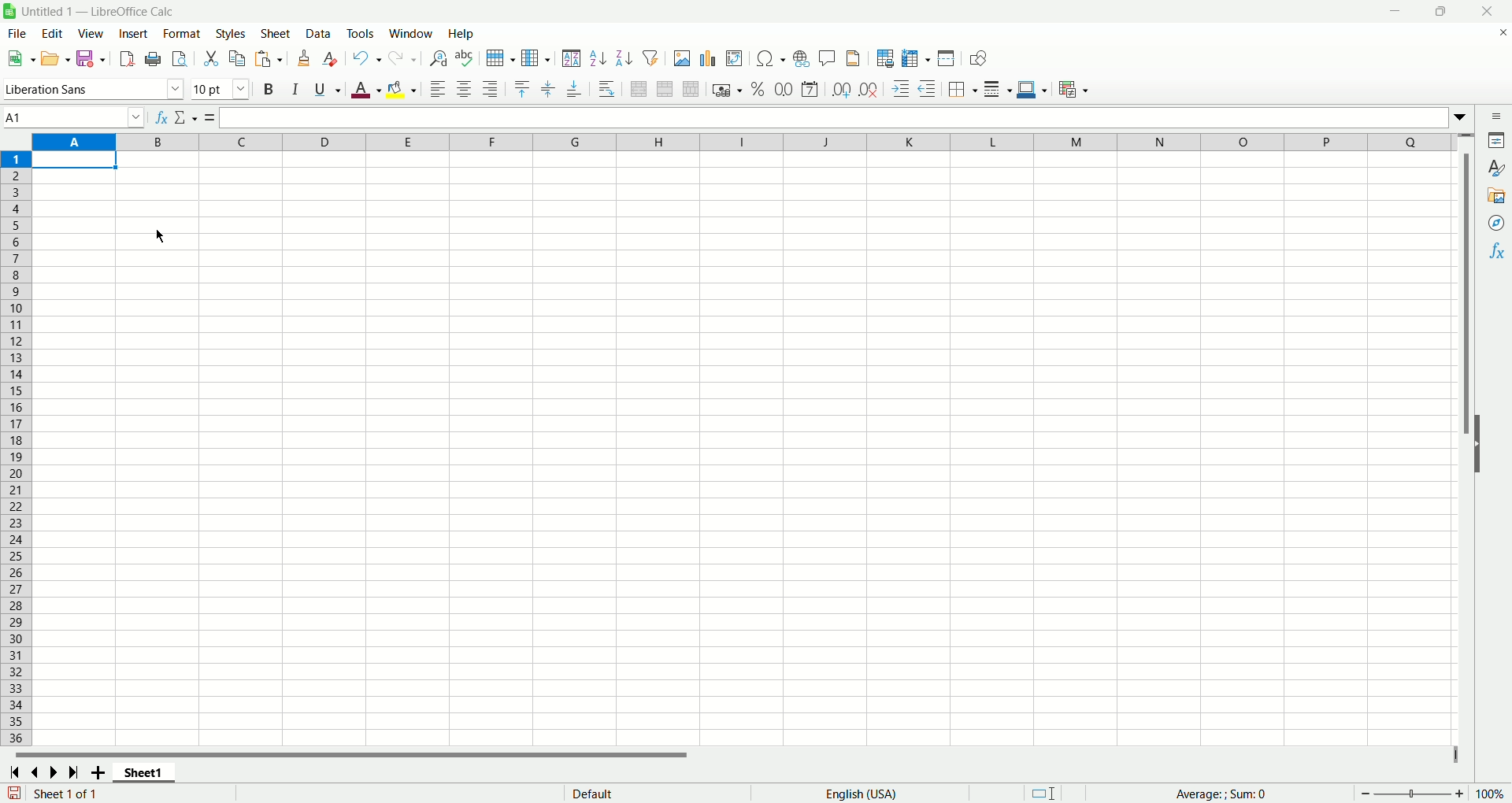 The width and height of the screenshot is (1512, 803). Describe the element at coordinates (862, 792) in the screenshot. I see `language` at that location.